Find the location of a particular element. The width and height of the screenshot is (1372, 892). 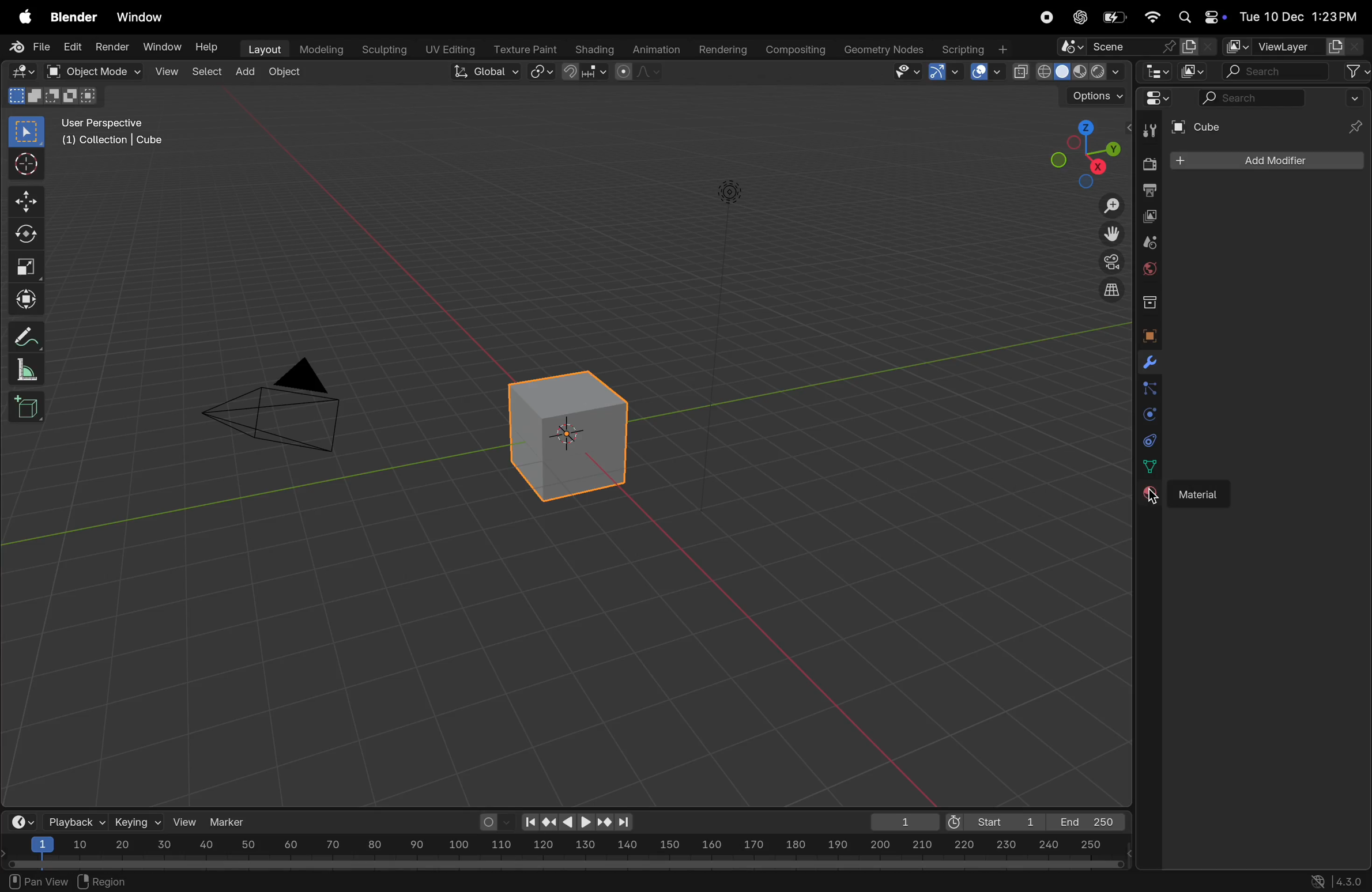

Scripting is located at coordinates (974, 46).